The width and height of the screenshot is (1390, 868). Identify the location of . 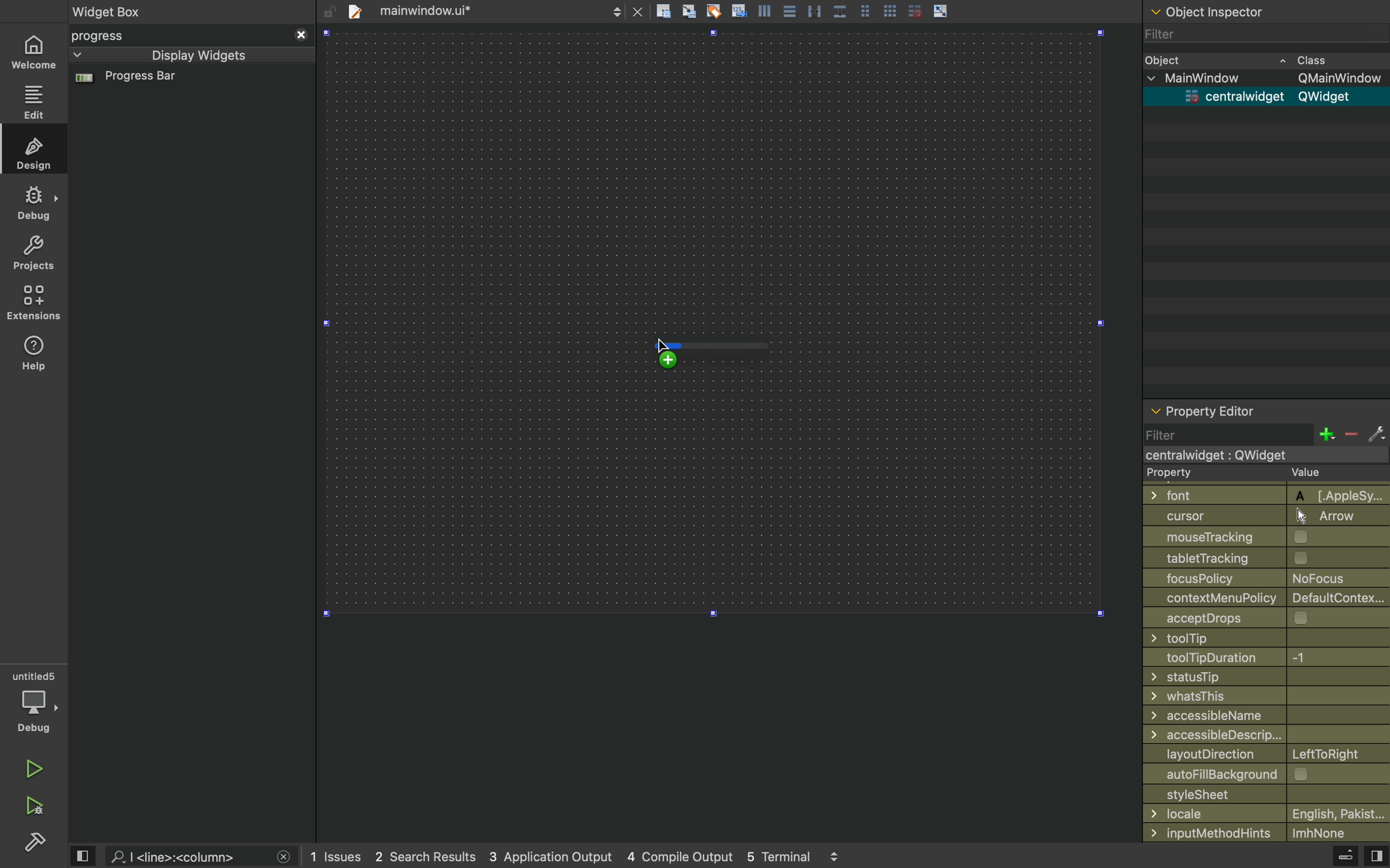
(78, 858).